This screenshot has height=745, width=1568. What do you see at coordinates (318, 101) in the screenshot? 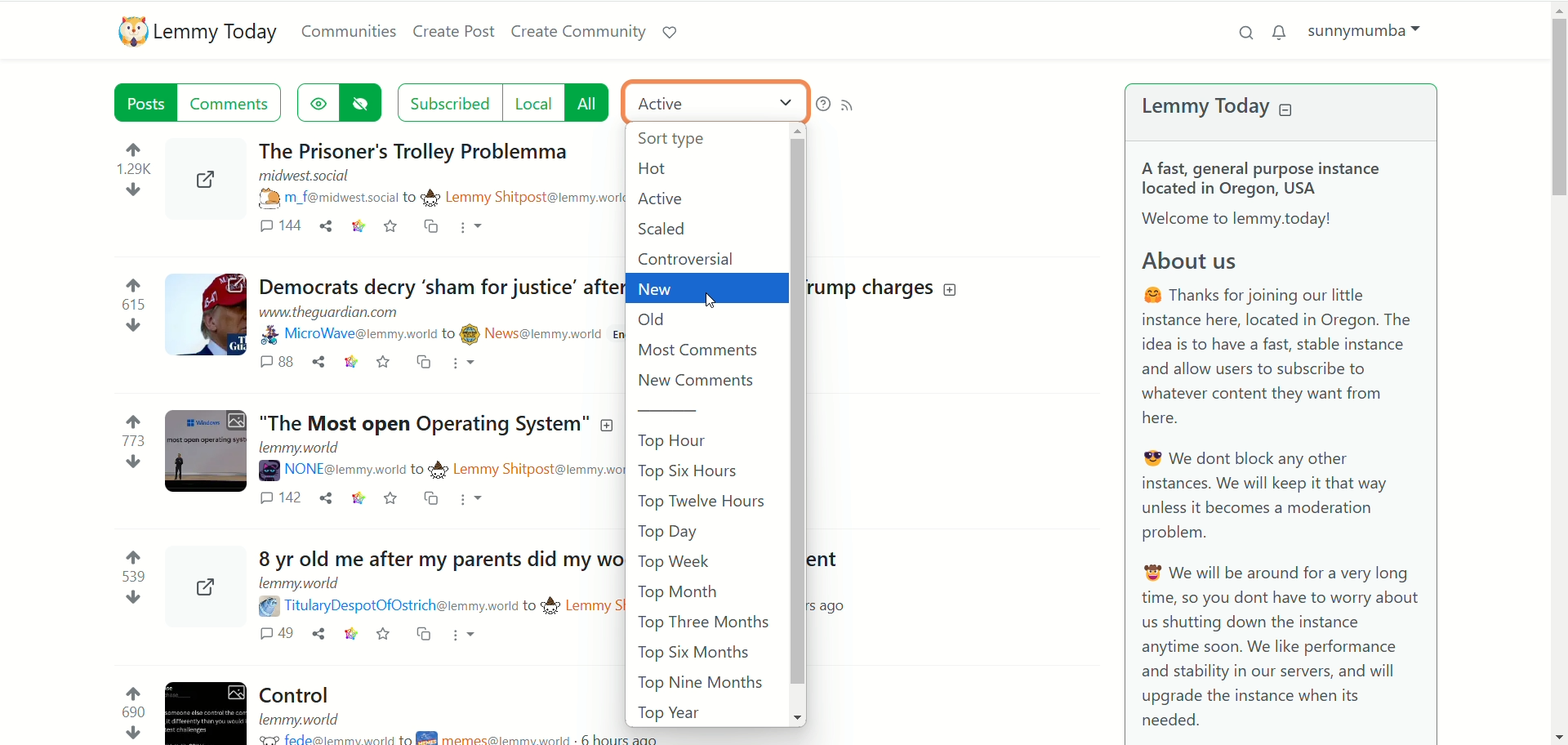
I see `show hidden posts` at bounding box center [318, 101].